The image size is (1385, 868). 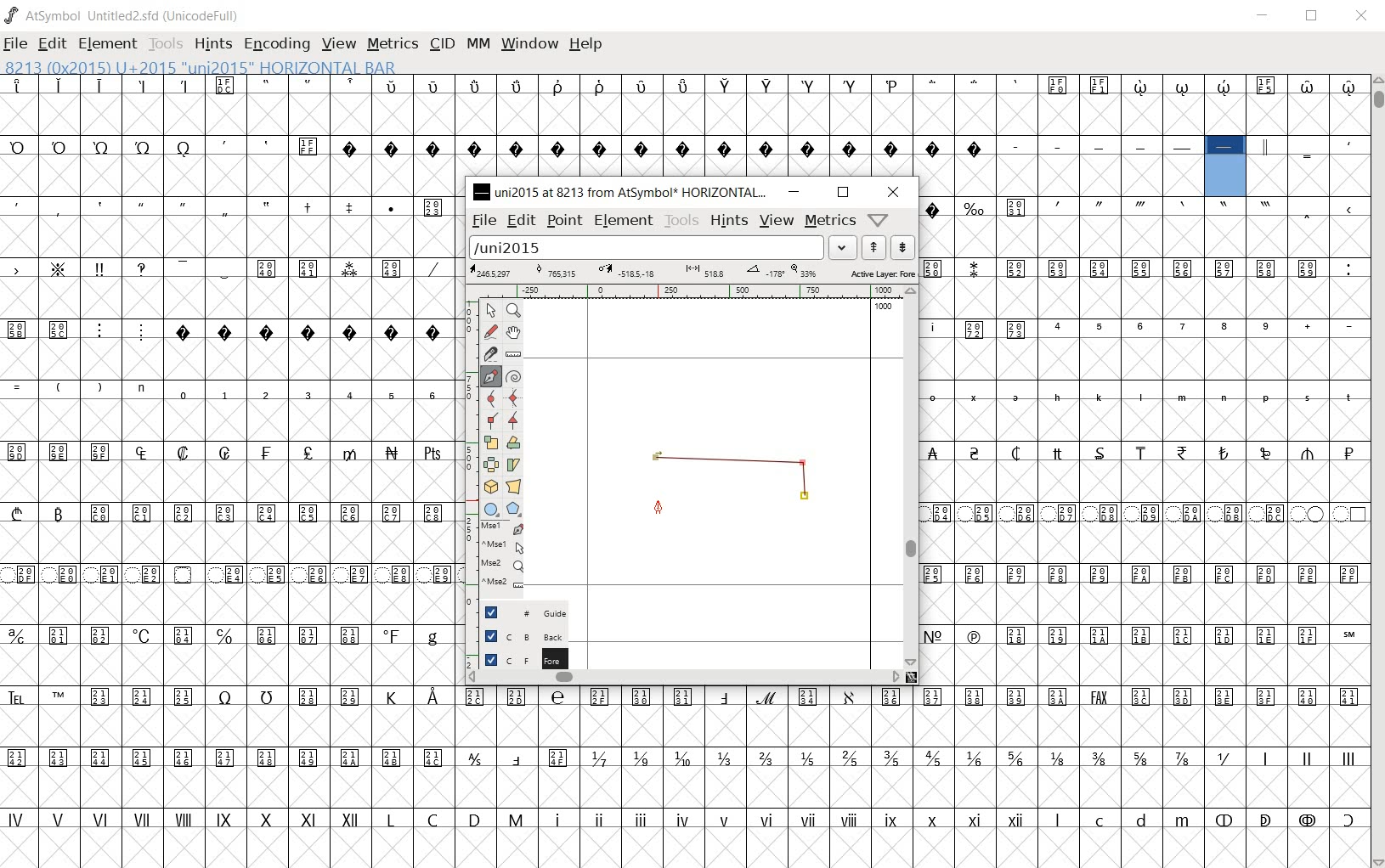 What do you see at coordinates (488, 352) in the screenshot?
I see `cut splines in two` at bounding box center [488, 352].